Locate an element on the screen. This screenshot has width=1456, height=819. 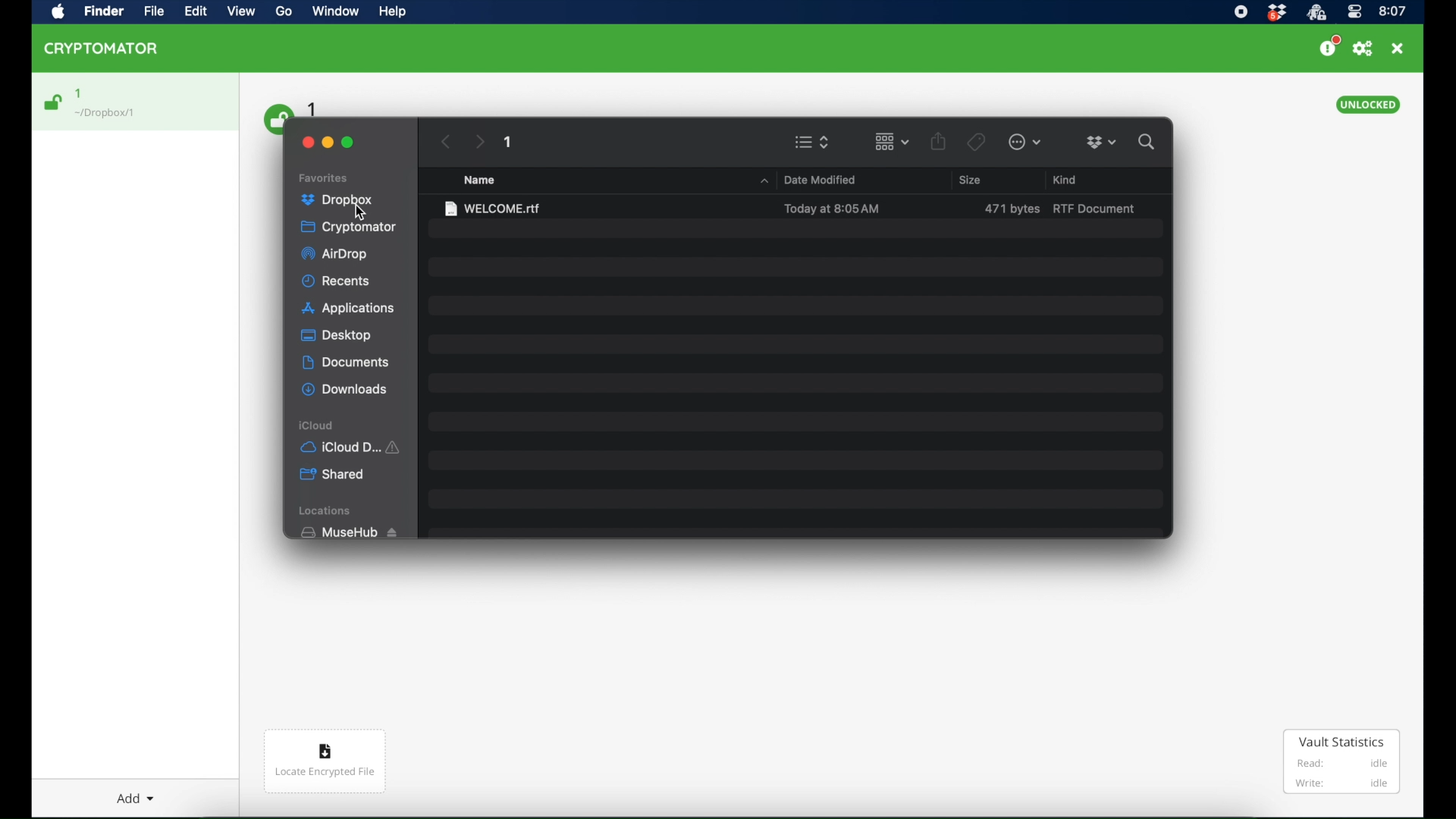
desktop is located at coordinates (336, 336).